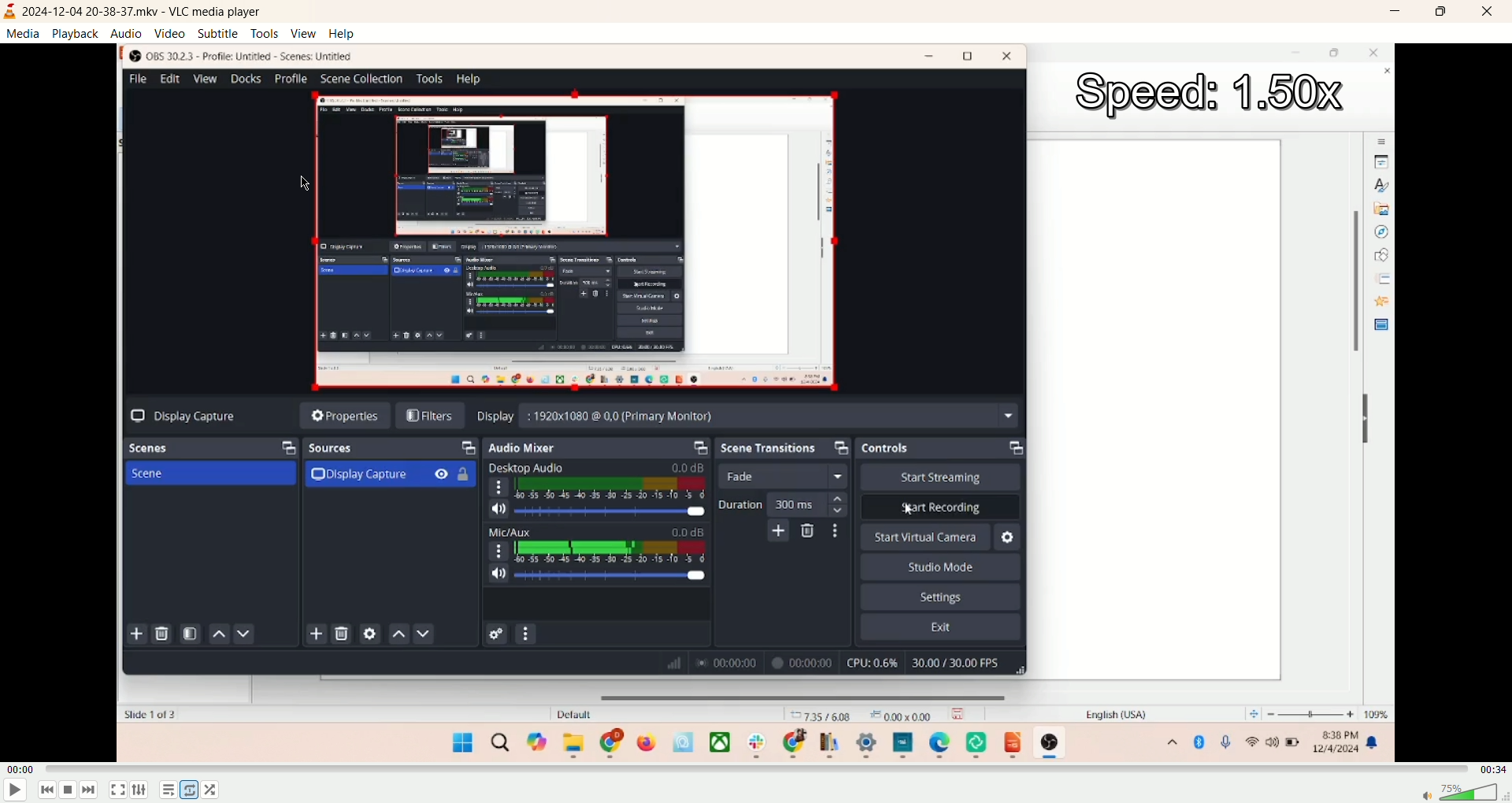 This screenshot has height=803, width=1512. What do you see at coordinates (302, 34) in the screenshot?
I see `view` at bounding box center [302, 34].